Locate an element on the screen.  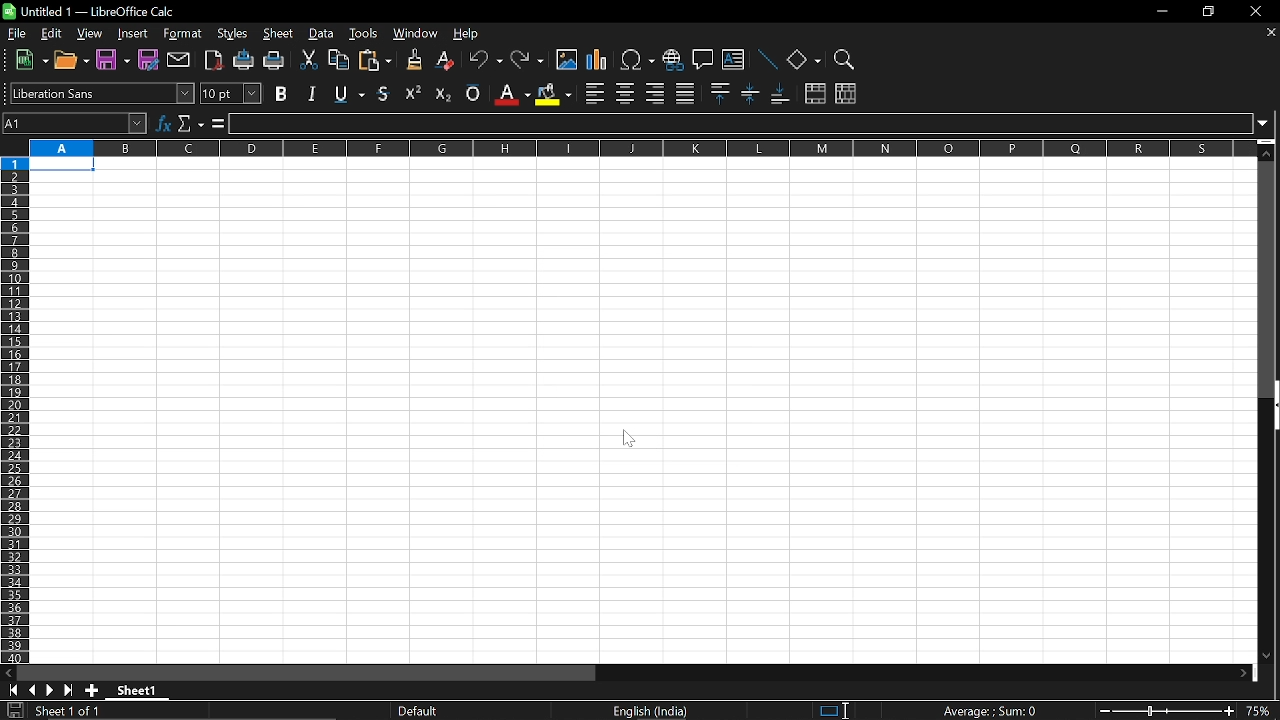
columns is located at coordinates (639, 147).